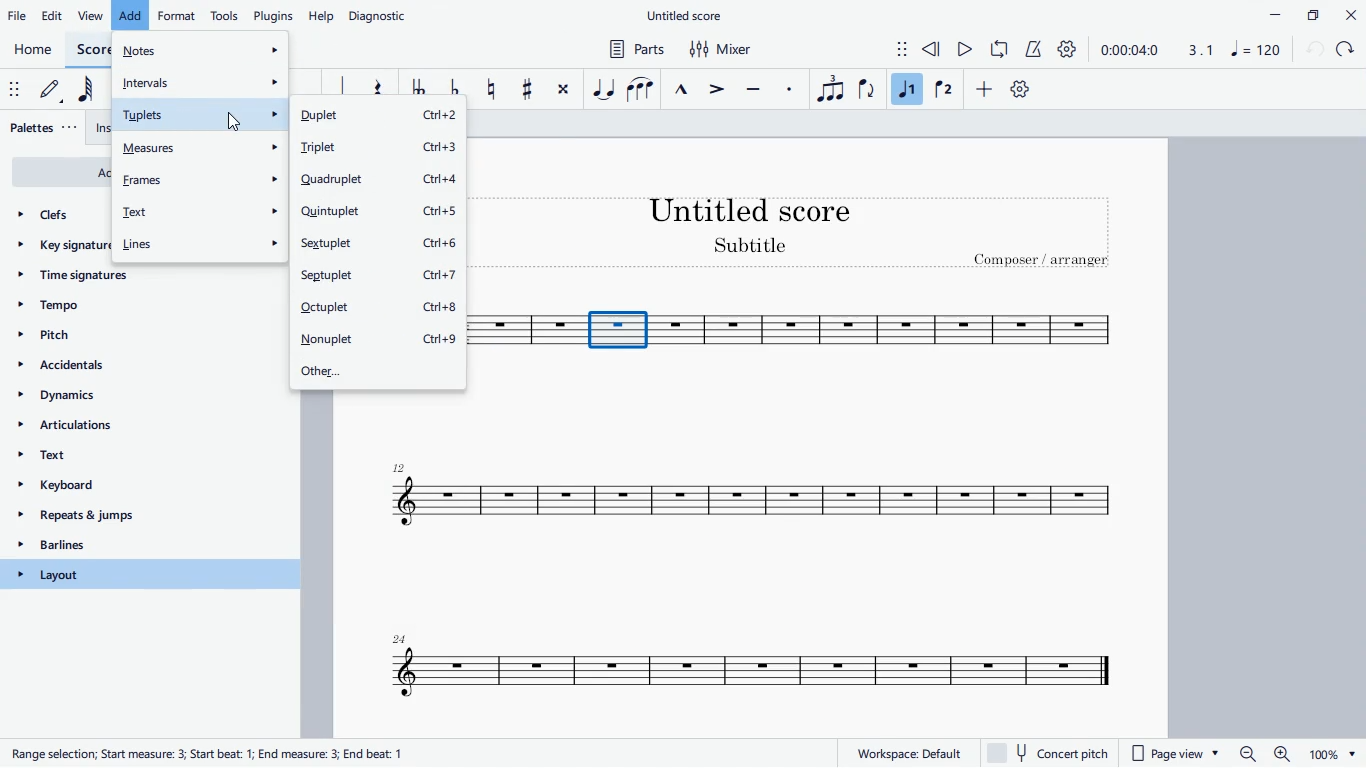 Image resolution: width=1366 pixels, height=768 pixels. I want to click on tenuto, so click(756, 87).